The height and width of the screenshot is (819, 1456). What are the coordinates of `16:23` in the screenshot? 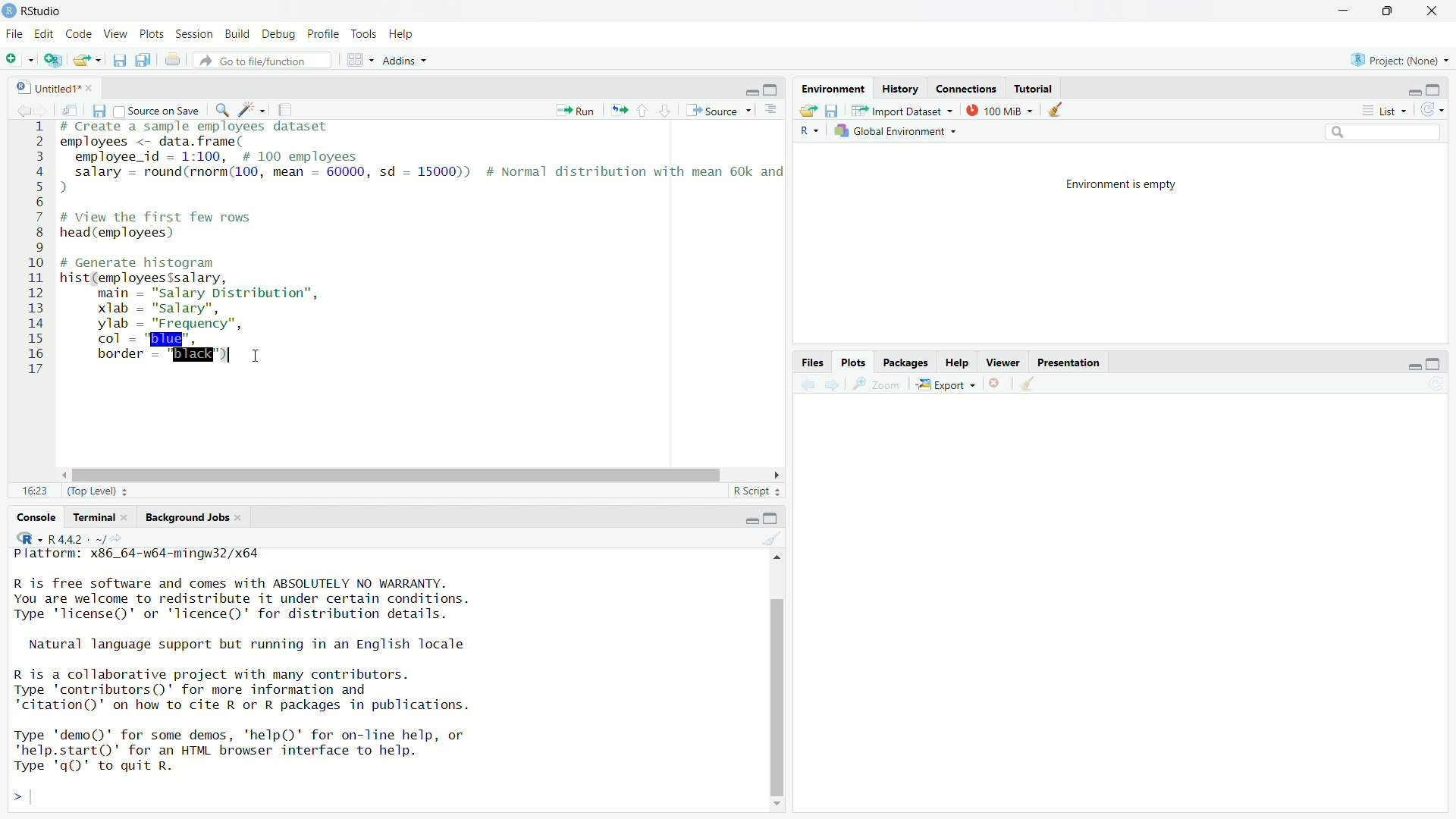 It's located at (36, 490).